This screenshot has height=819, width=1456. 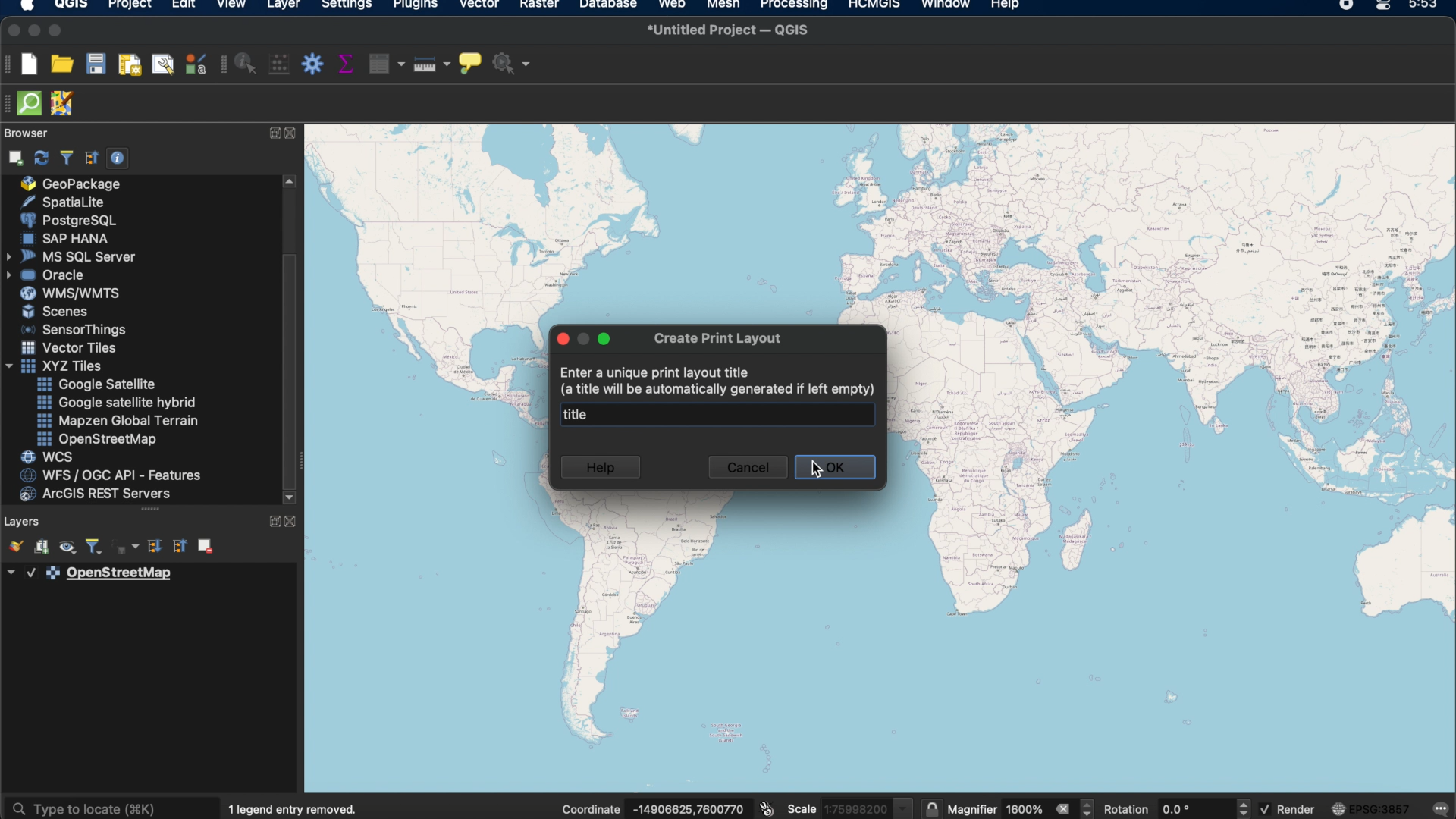 I want to click on cancel, so click(x=745, y=466).